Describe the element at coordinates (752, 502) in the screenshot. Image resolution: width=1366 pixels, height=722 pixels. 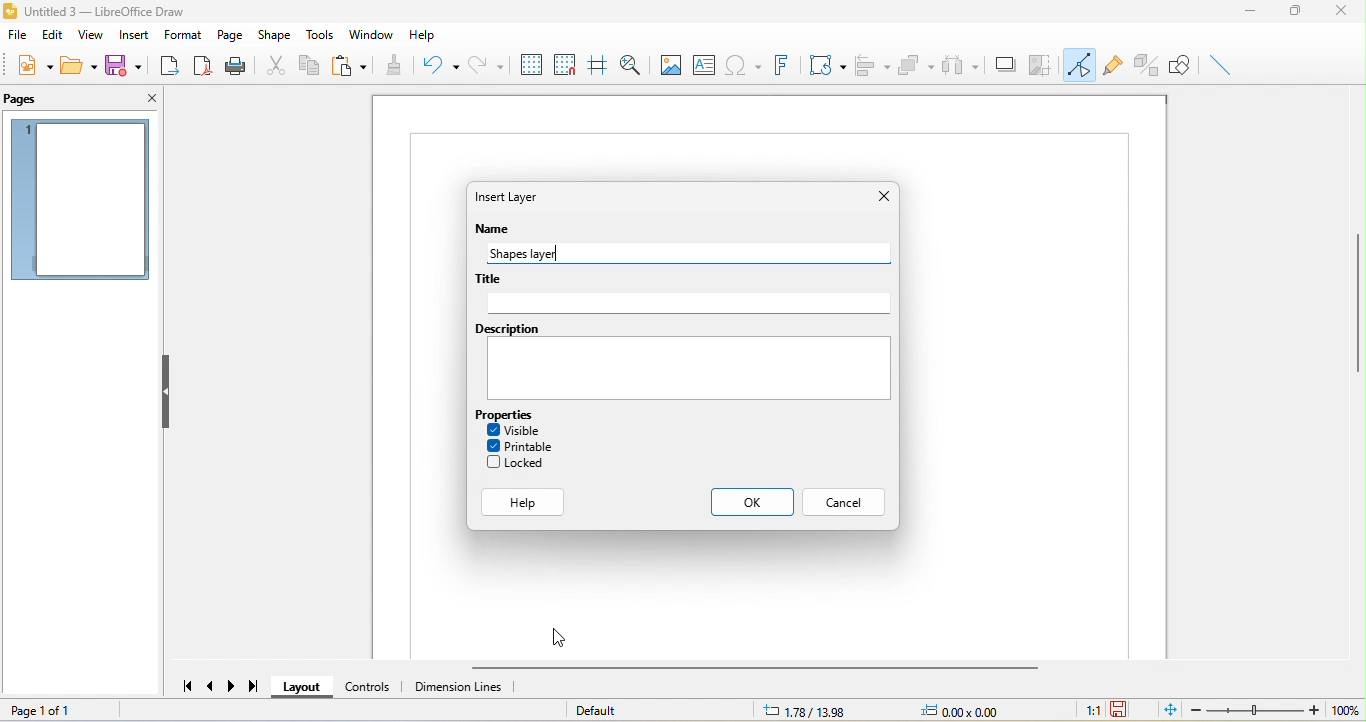
I see `ok` at that location.